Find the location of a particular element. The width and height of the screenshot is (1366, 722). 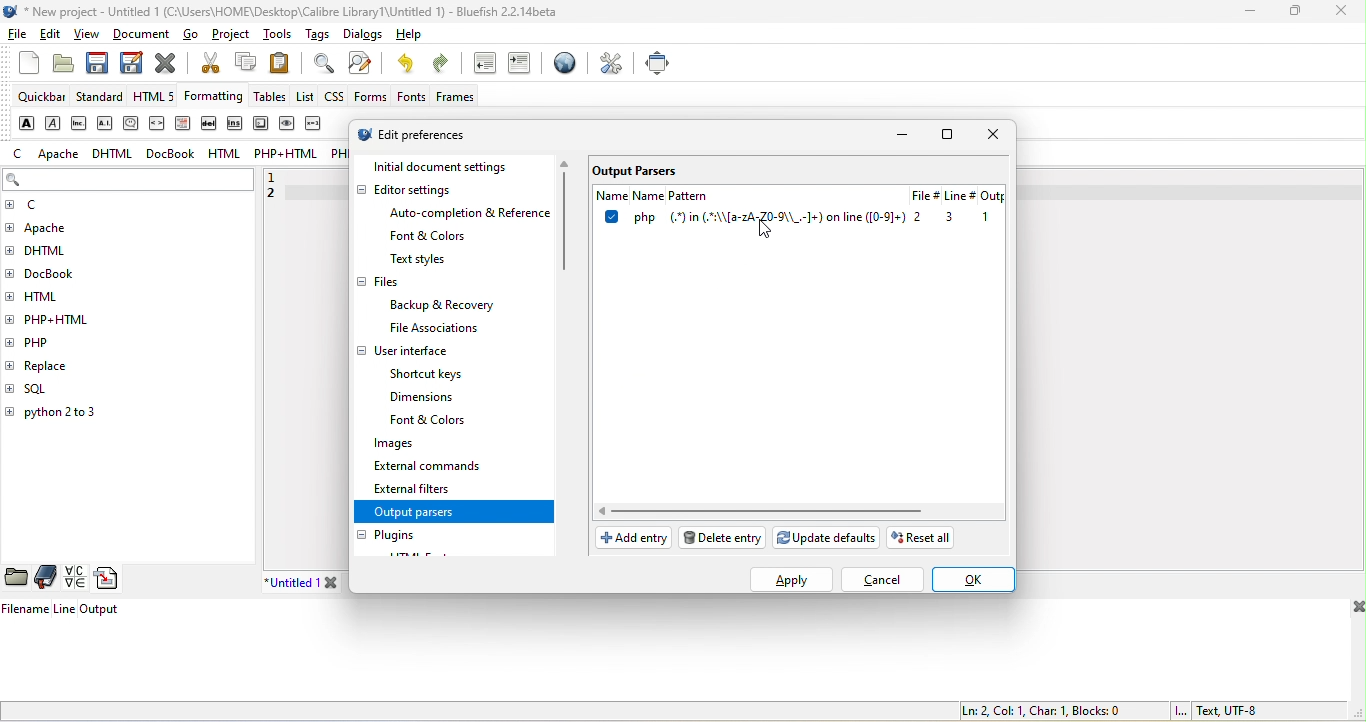

undo is located at coordinates (409, 65).